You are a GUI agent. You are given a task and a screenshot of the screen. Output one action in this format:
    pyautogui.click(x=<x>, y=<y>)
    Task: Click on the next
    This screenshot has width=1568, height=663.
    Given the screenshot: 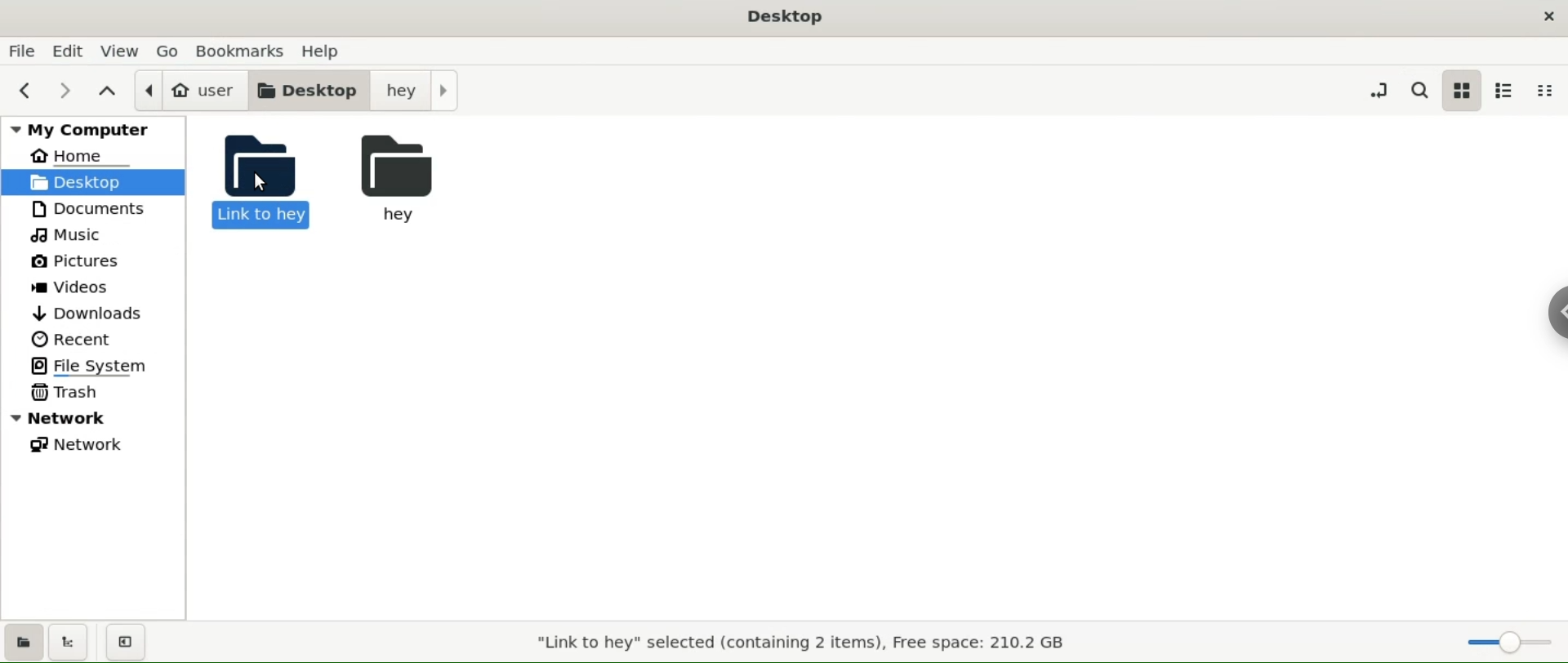 What is the action you would take?
    pyautogui.click(x=69, y=89)
    